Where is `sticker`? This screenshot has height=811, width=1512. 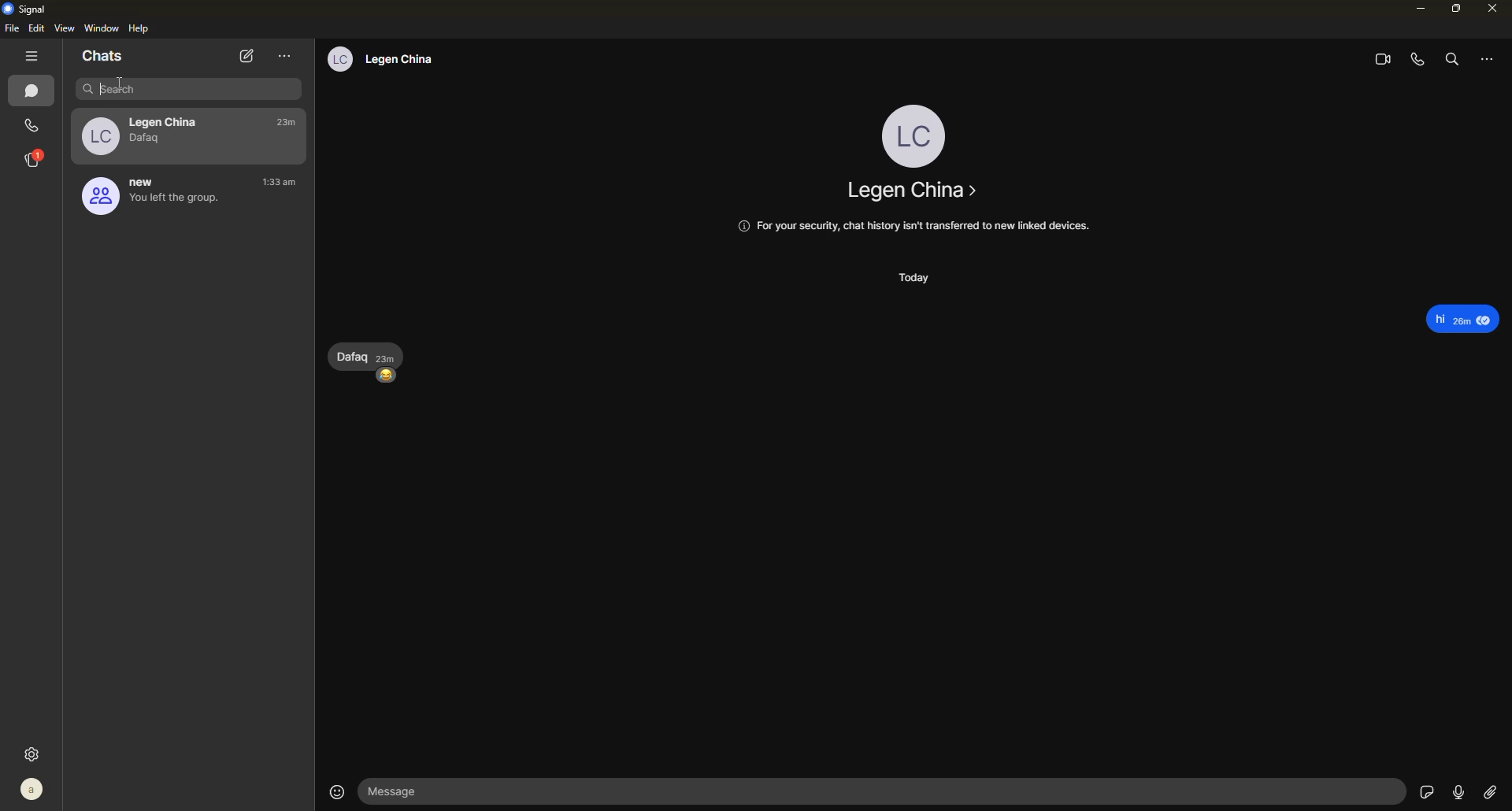
sticker is located at coordinates (1424, 791).